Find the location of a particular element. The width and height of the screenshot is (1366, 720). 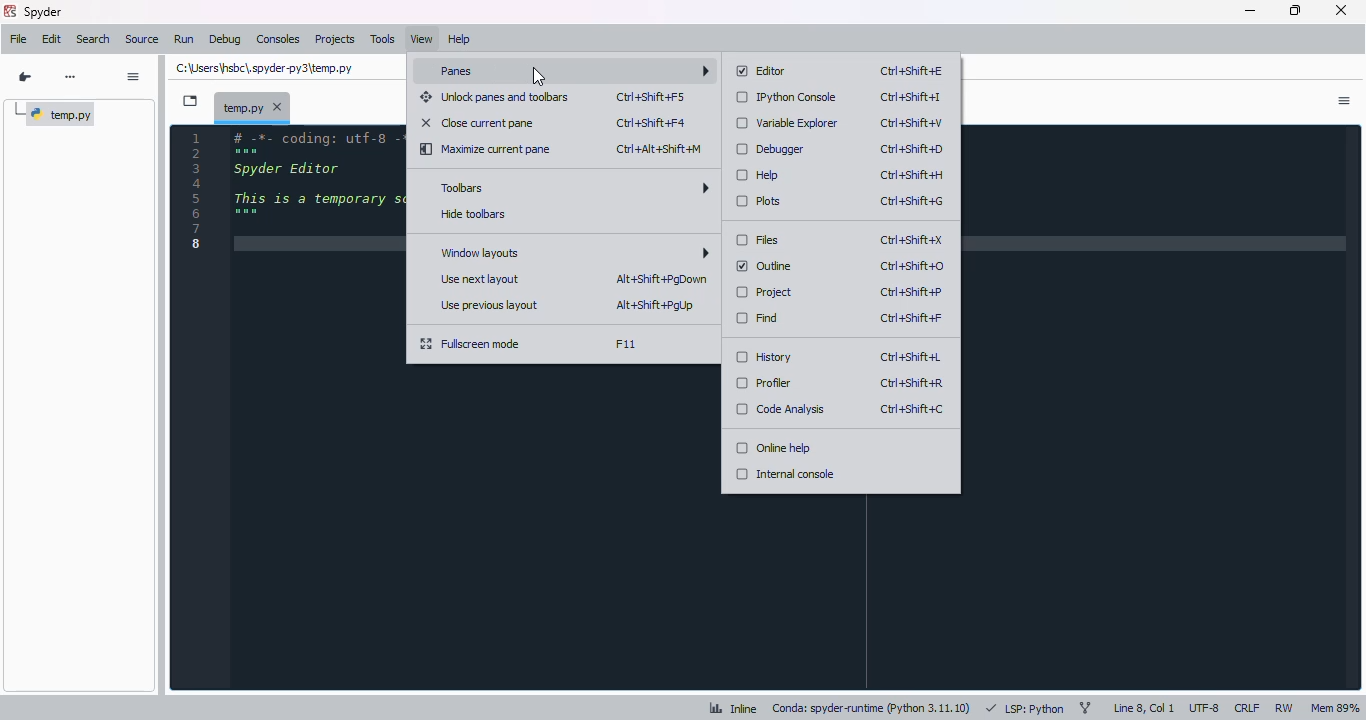

online help is located at coordinates (773, 447).